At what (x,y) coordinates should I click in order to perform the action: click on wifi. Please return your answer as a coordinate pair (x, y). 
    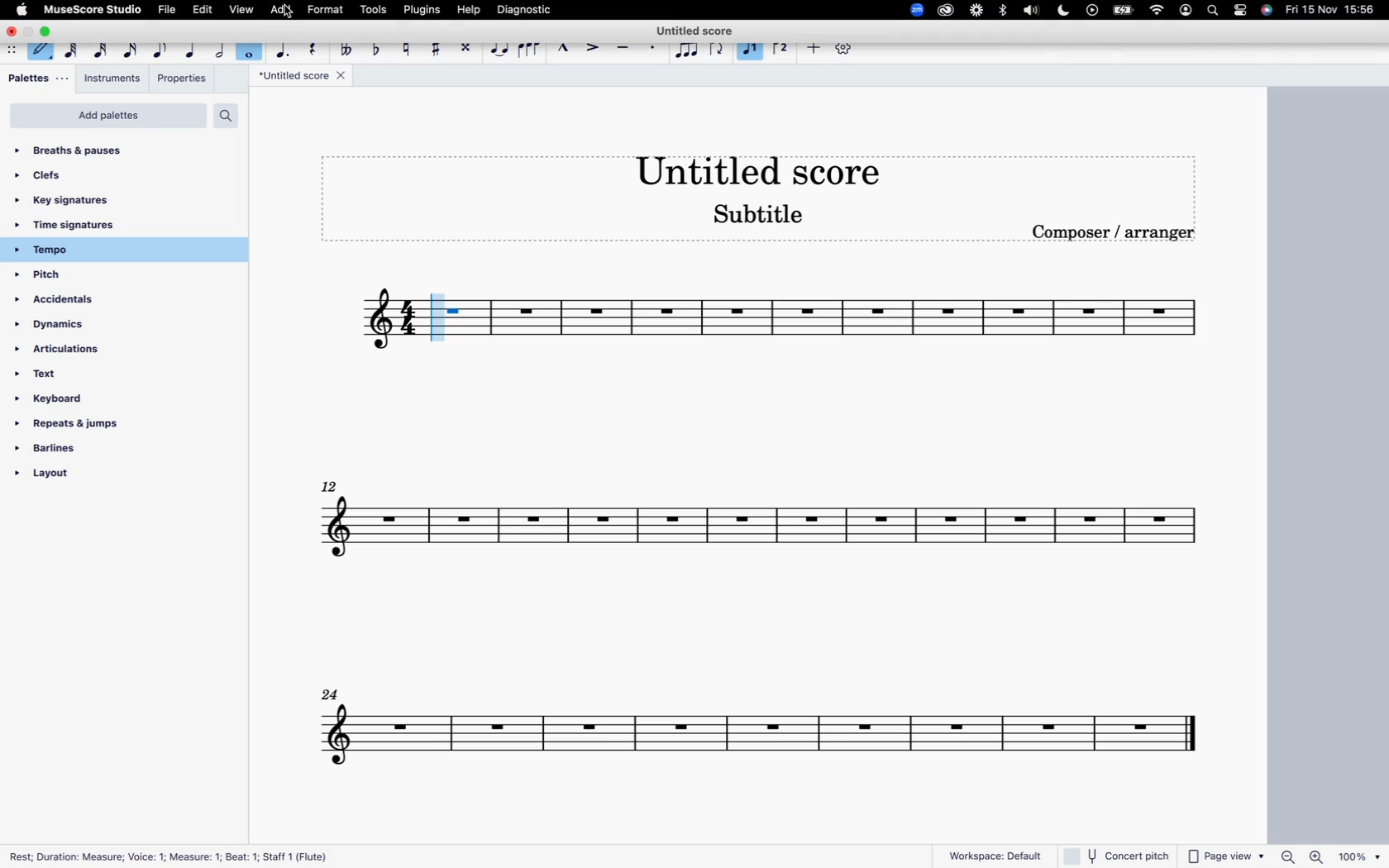
    Looking at the image, I should click on (1155, 11).